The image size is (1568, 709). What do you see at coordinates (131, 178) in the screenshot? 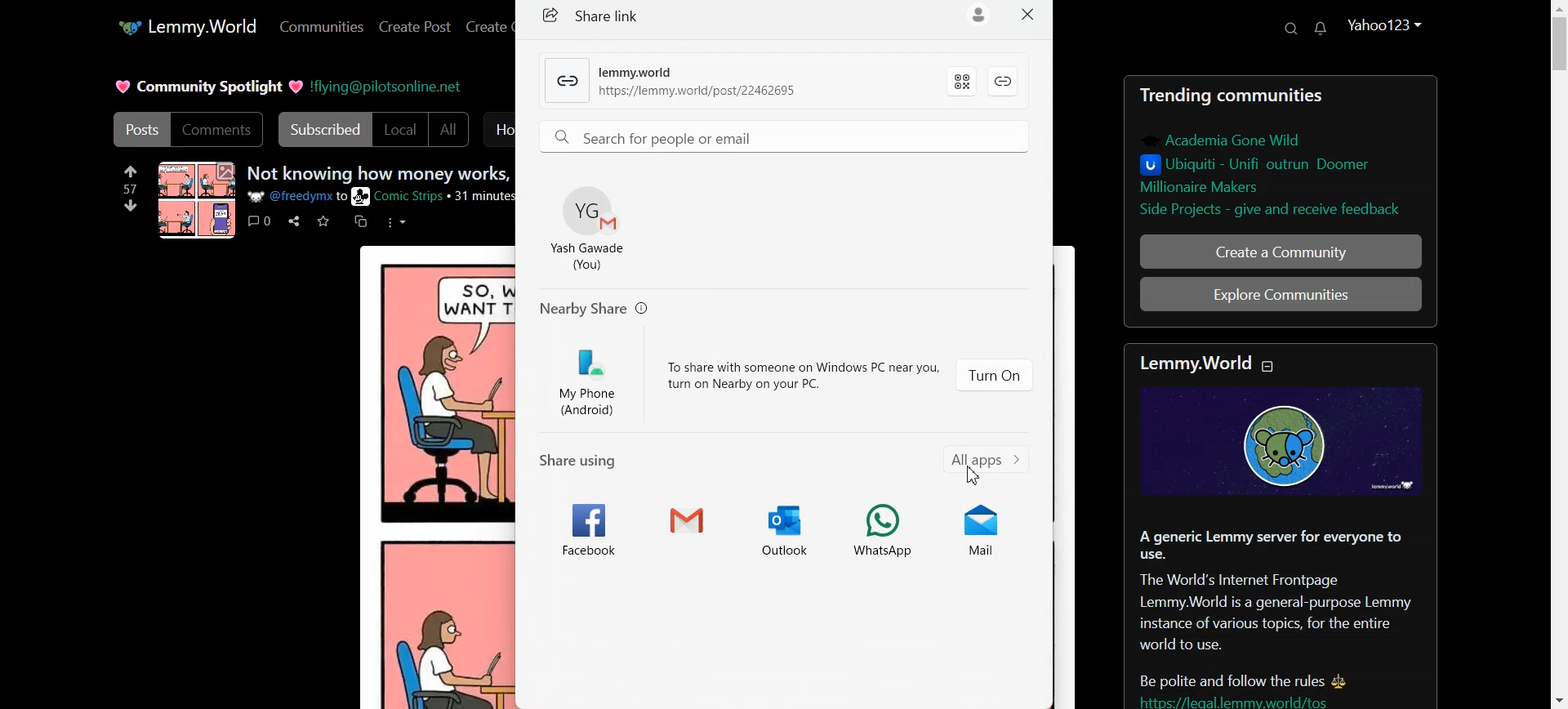
I see `Upvote` at bounding box center [131, 178].